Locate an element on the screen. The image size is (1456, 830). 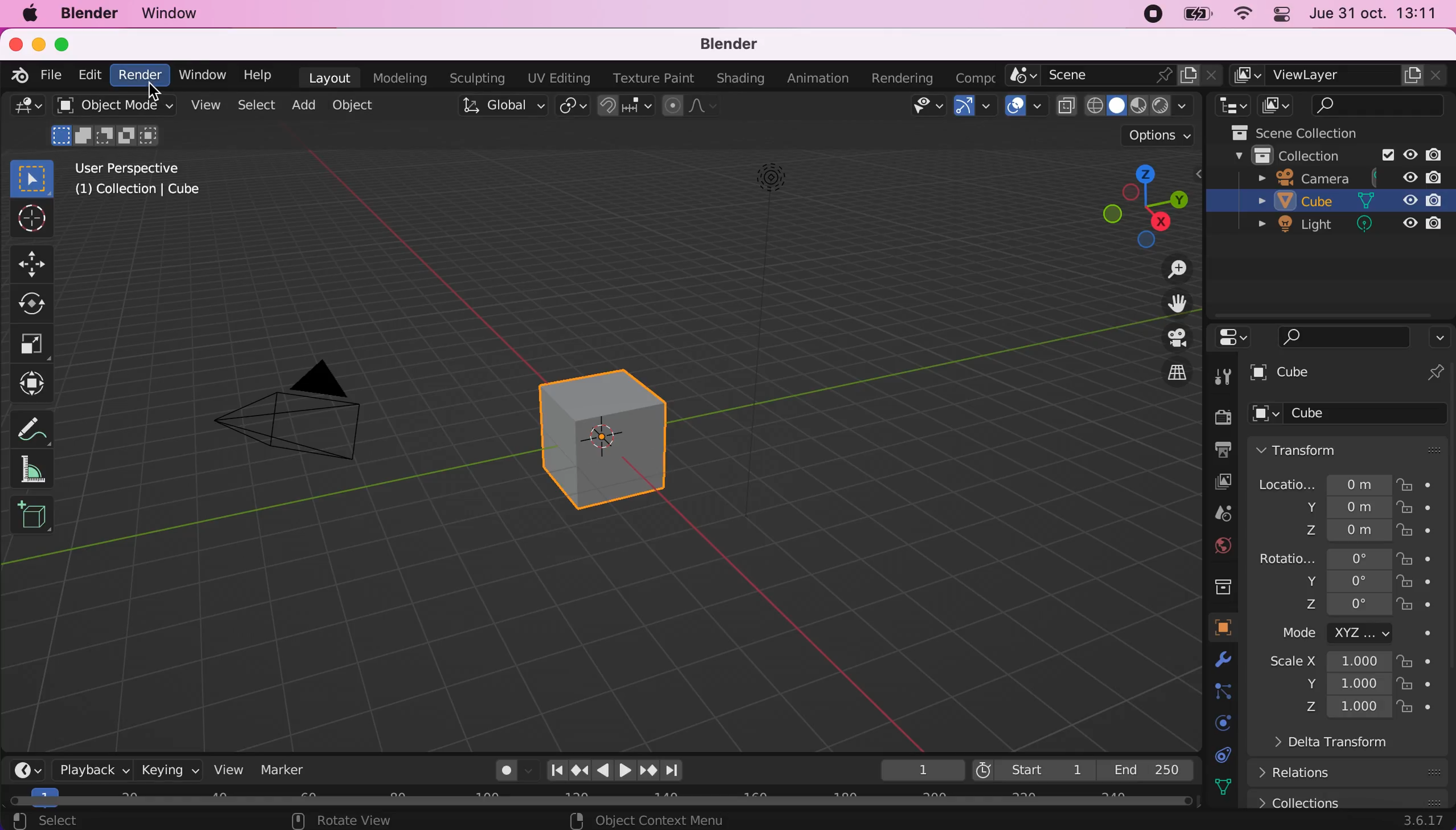
marker is located at coordinates (291, 771).